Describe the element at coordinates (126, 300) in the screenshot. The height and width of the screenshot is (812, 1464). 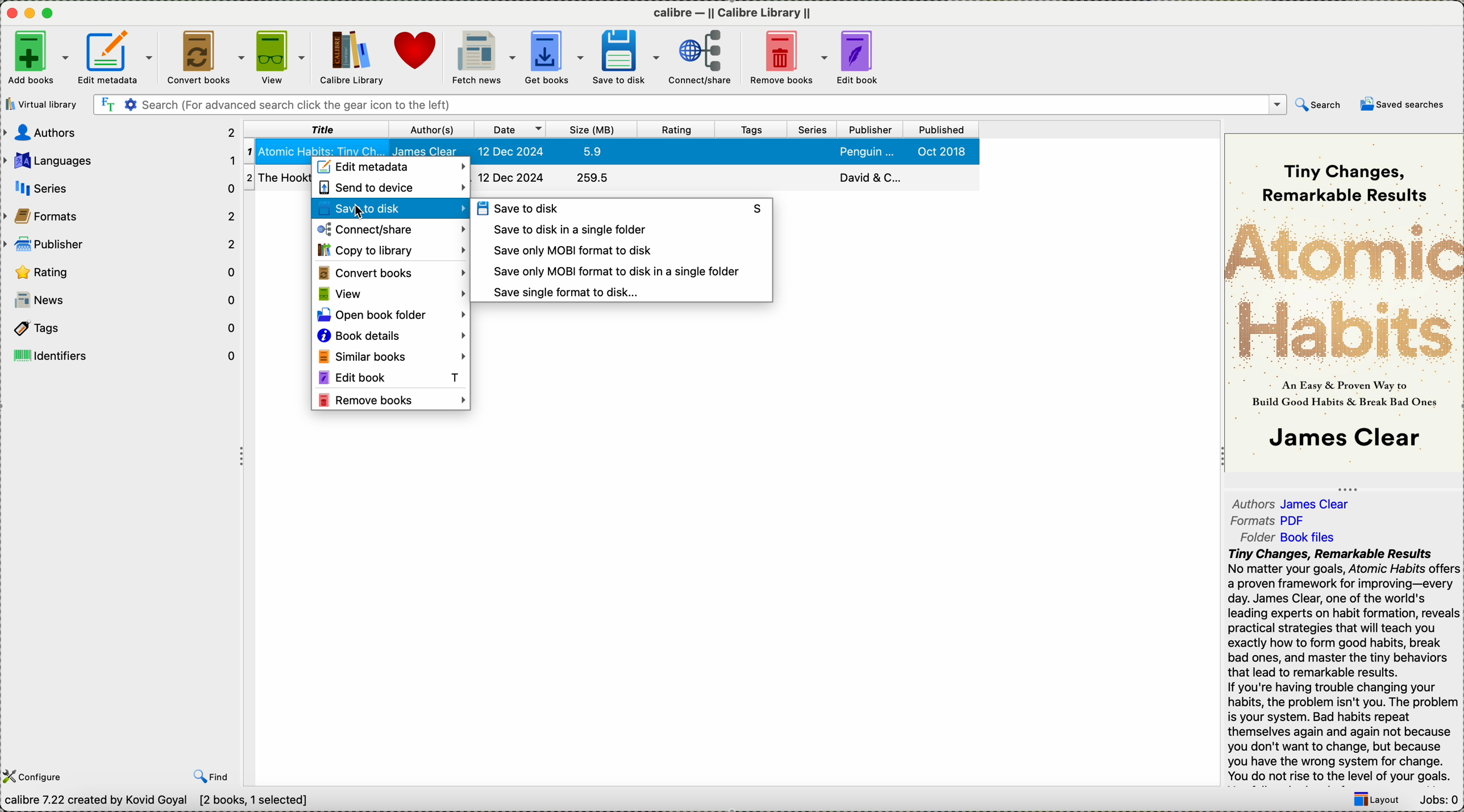
I see `news` at that location.